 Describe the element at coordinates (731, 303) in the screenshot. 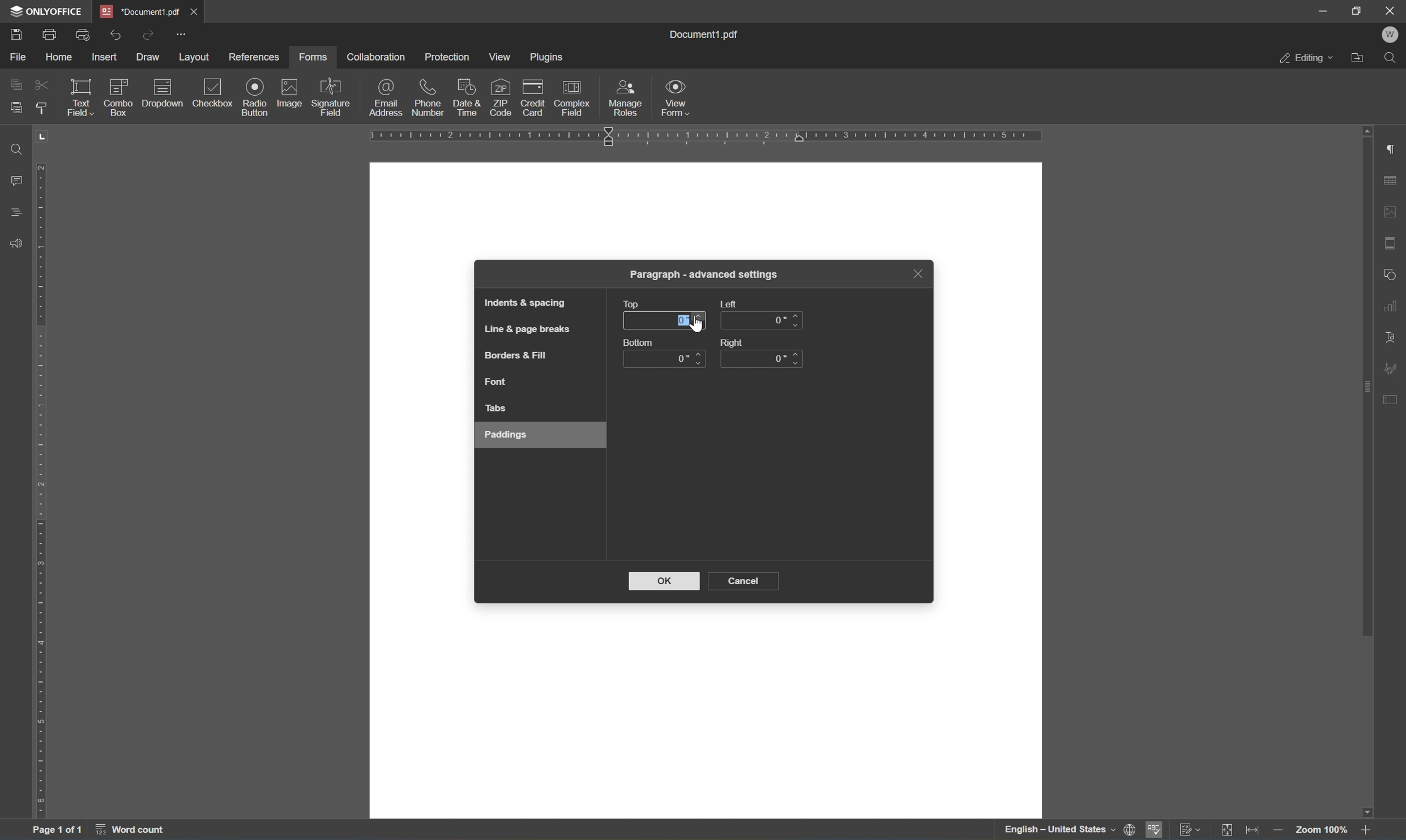

I see `left` at that location.